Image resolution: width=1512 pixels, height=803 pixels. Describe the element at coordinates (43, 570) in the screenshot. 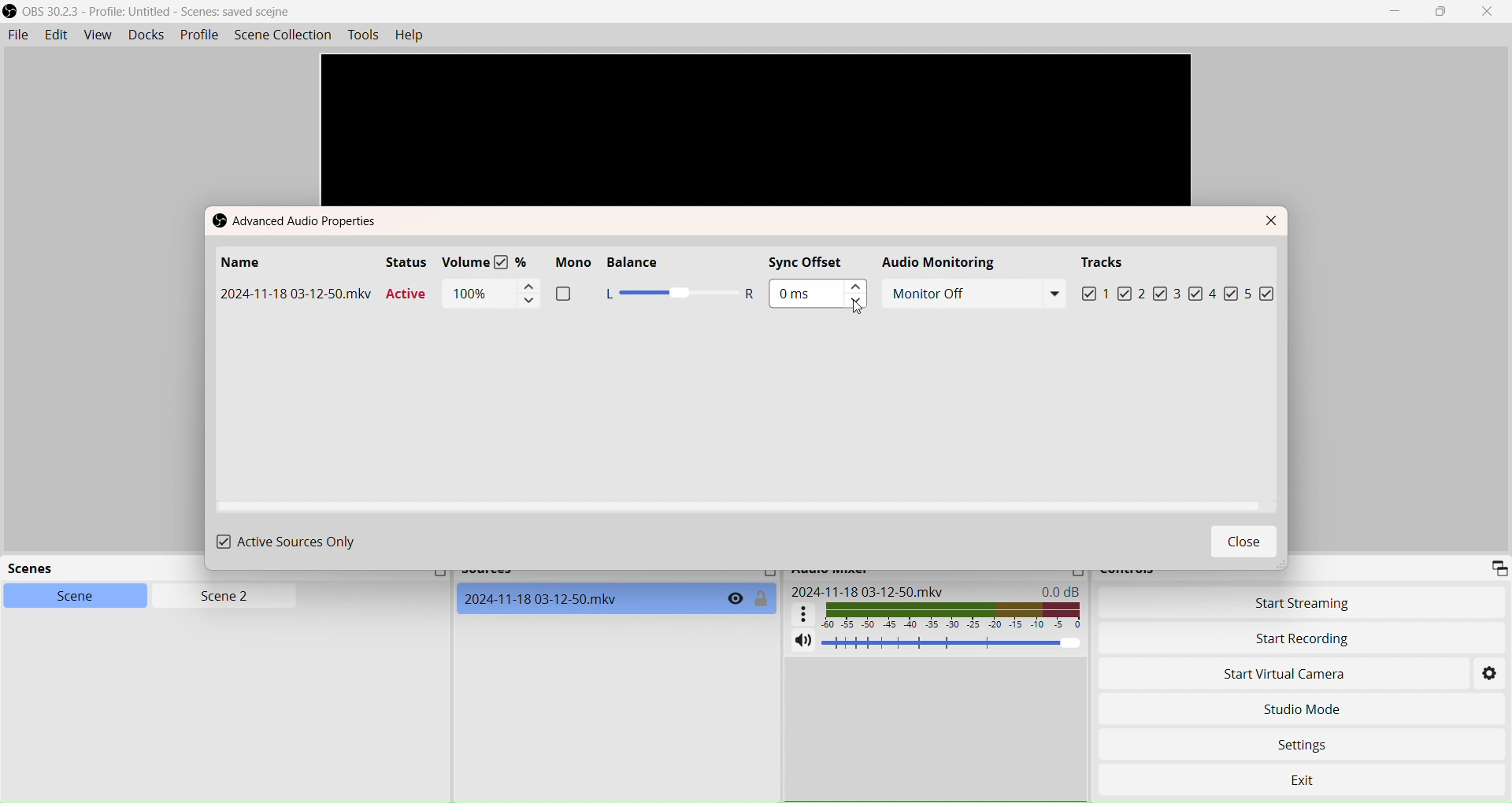

I see `Scenes` at that location.